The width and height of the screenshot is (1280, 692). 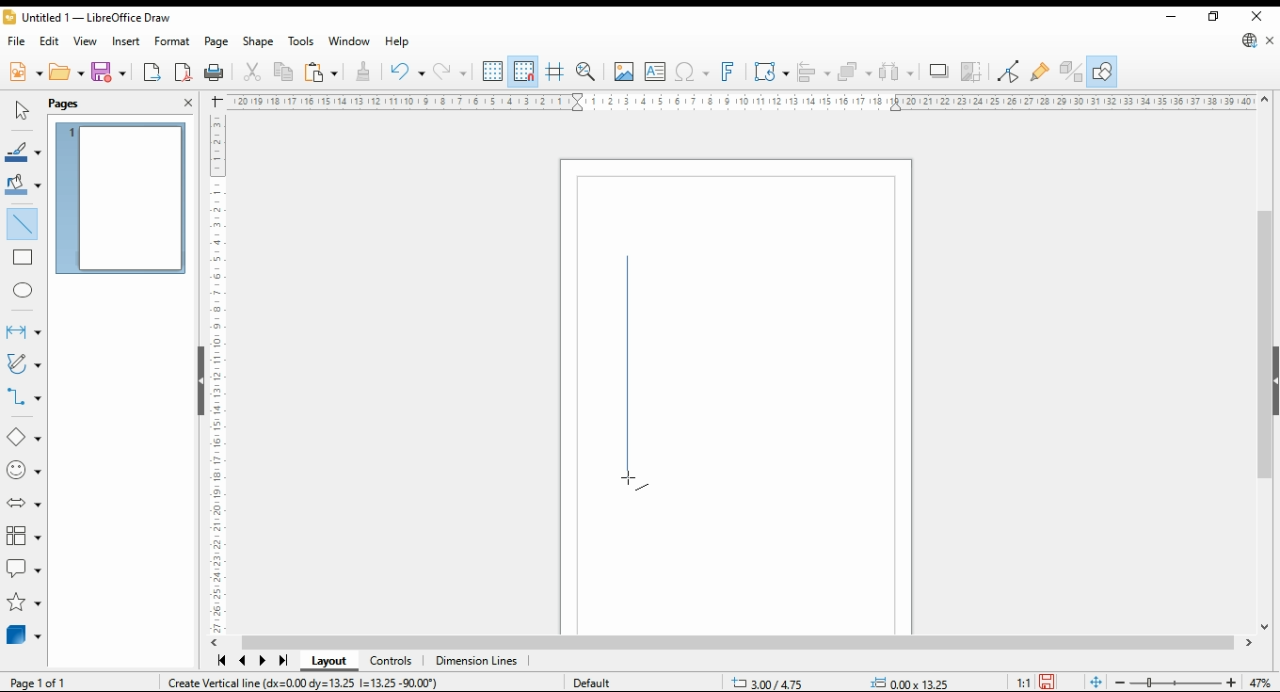 I want to click on layout, so click(x=328, y=662).